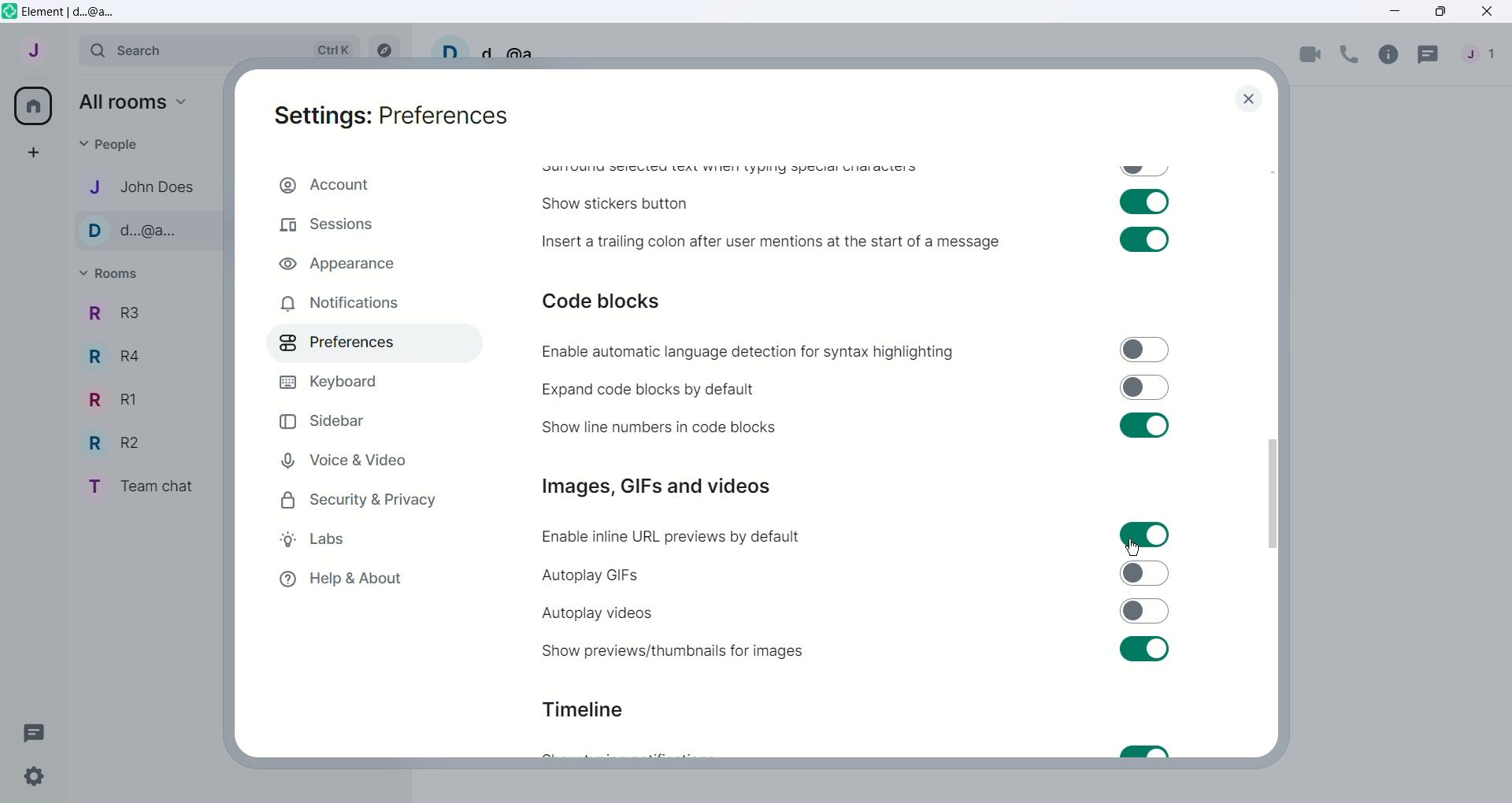 The width and height of the screenshot is (1512, 803). Describe the element at coordinates (31, 150) in the screenshot. I see `Create a space` at that location.